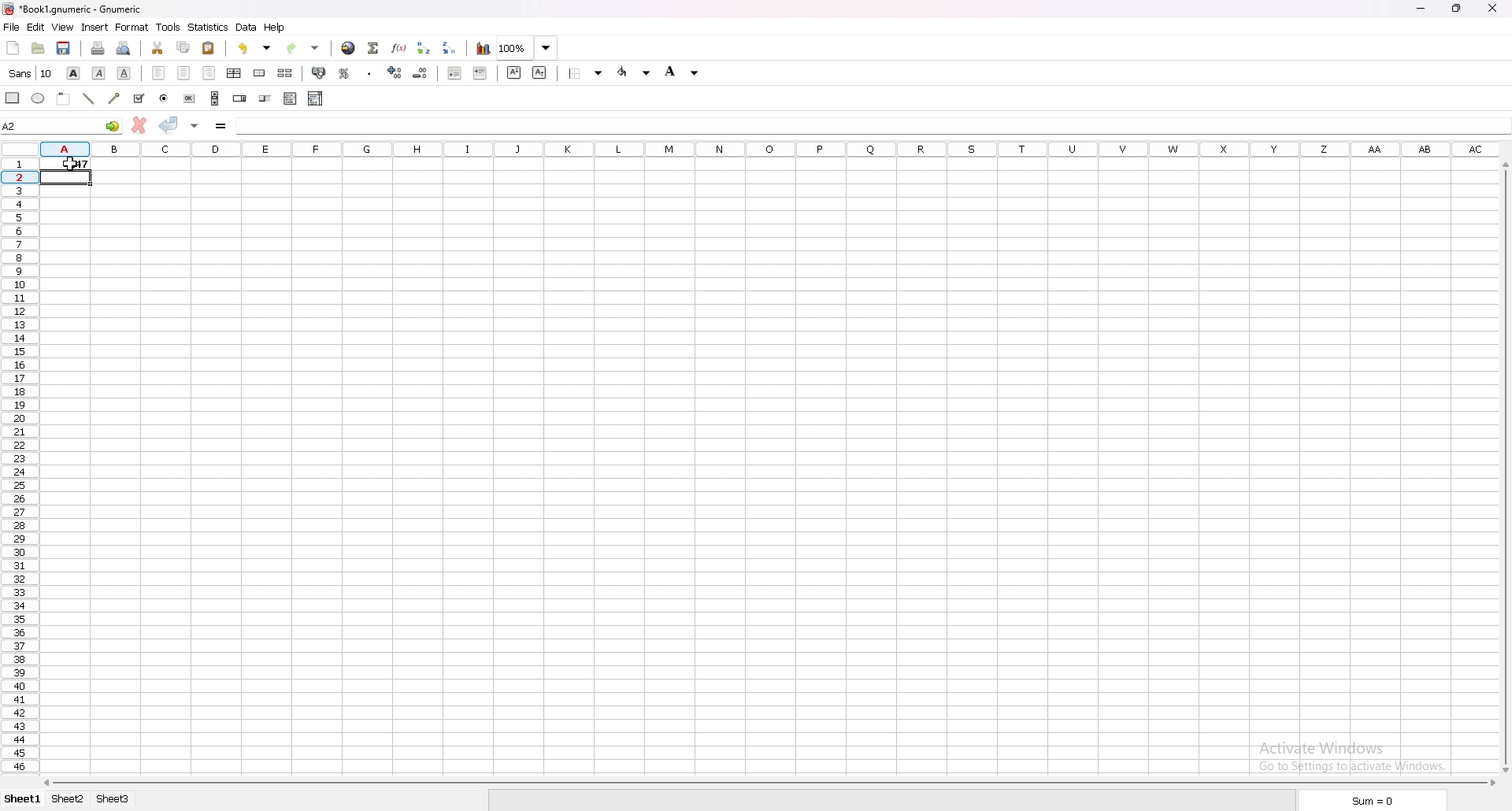 The image size is (1512, 811). What do you see at coordinates (63, 98) in the screenshot?
I see `frame` at bounding box center [63, 98].